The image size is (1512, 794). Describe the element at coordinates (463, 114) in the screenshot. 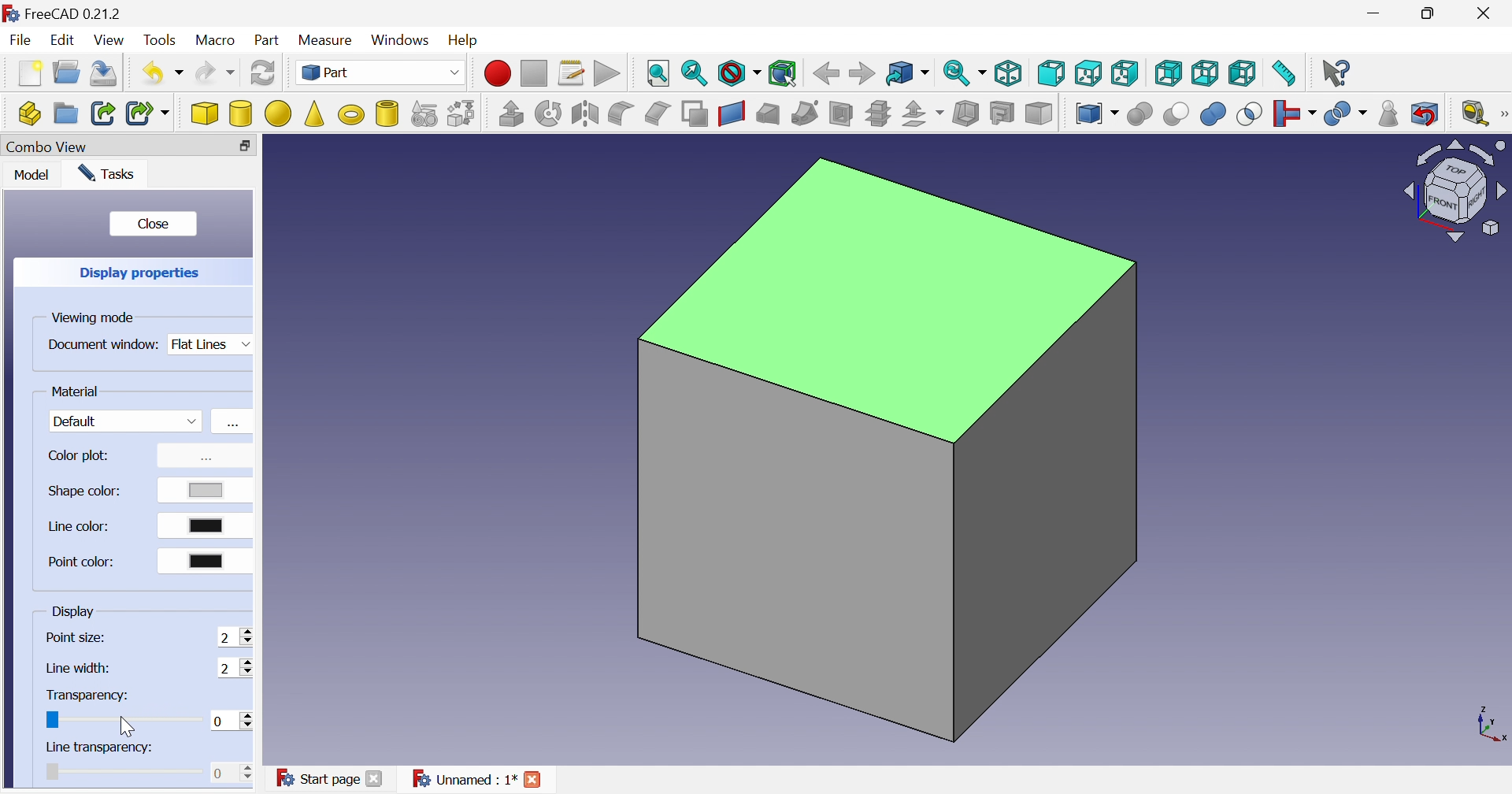

I see `Shape builder` at that location.